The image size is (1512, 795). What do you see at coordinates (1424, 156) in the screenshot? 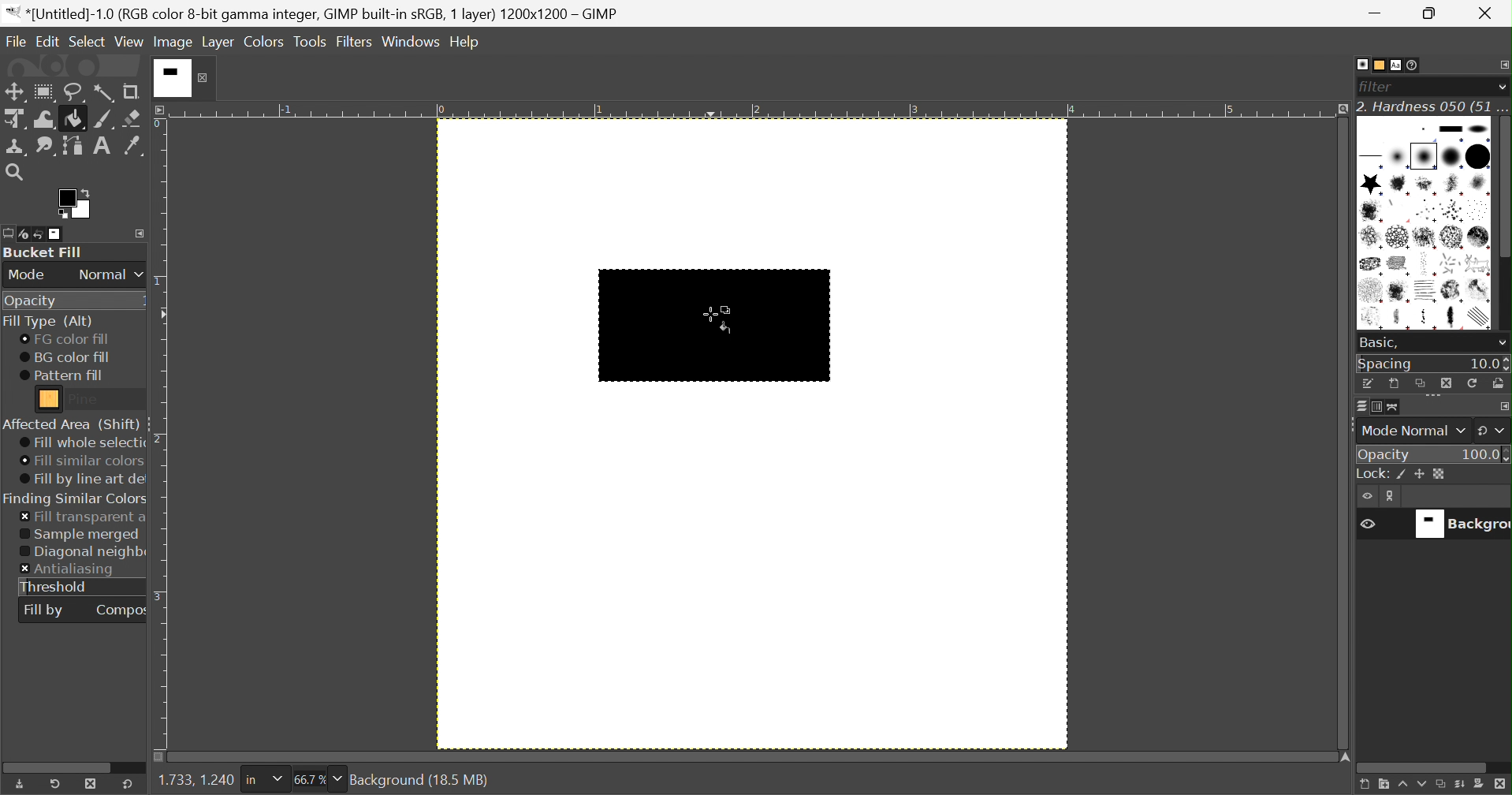
I see `Hardness` at bounding box center [1424, 156].